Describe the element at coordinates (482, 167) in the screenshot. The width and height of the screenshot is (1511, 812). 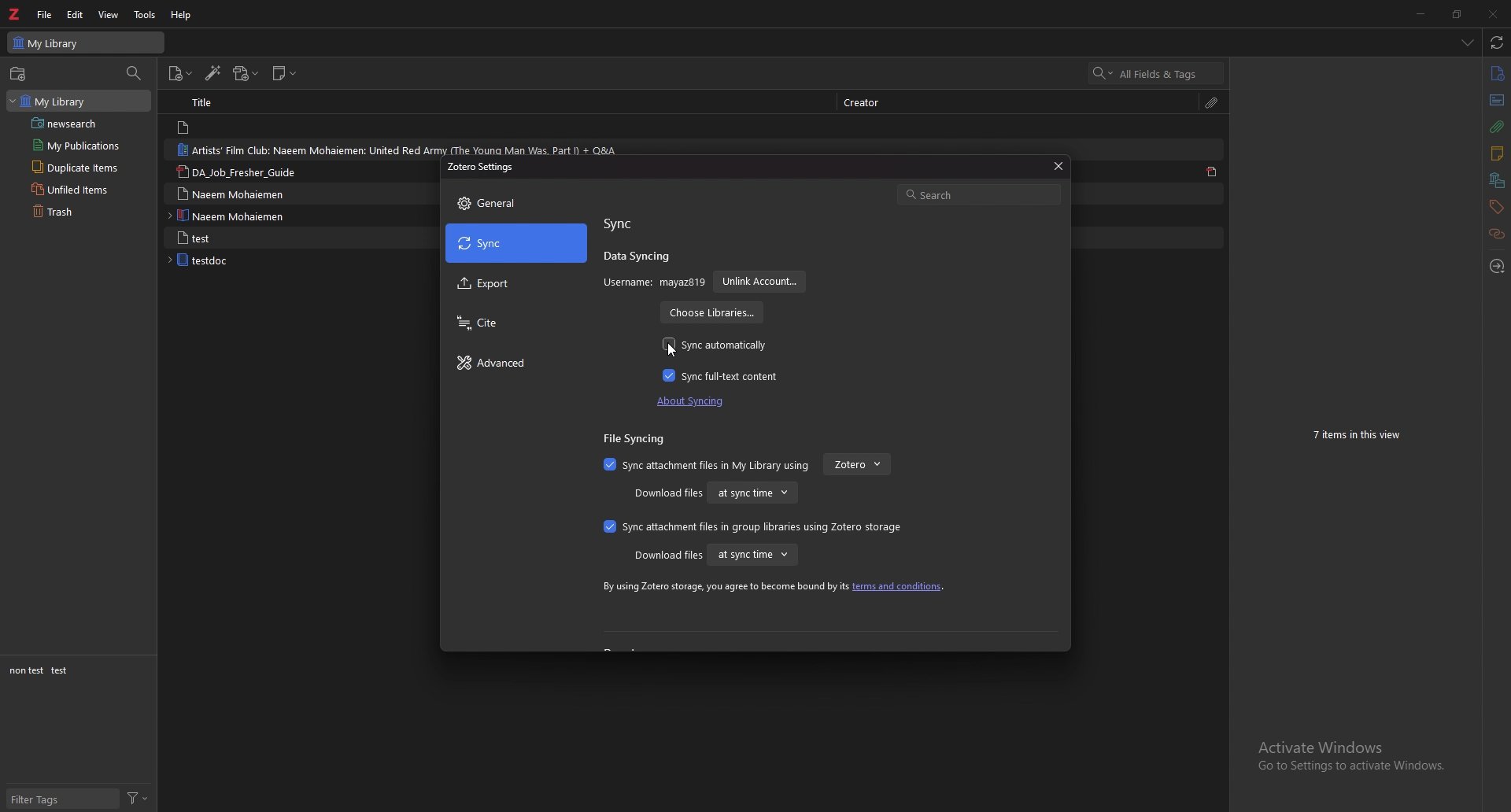
I see `zotero settings` at that location.